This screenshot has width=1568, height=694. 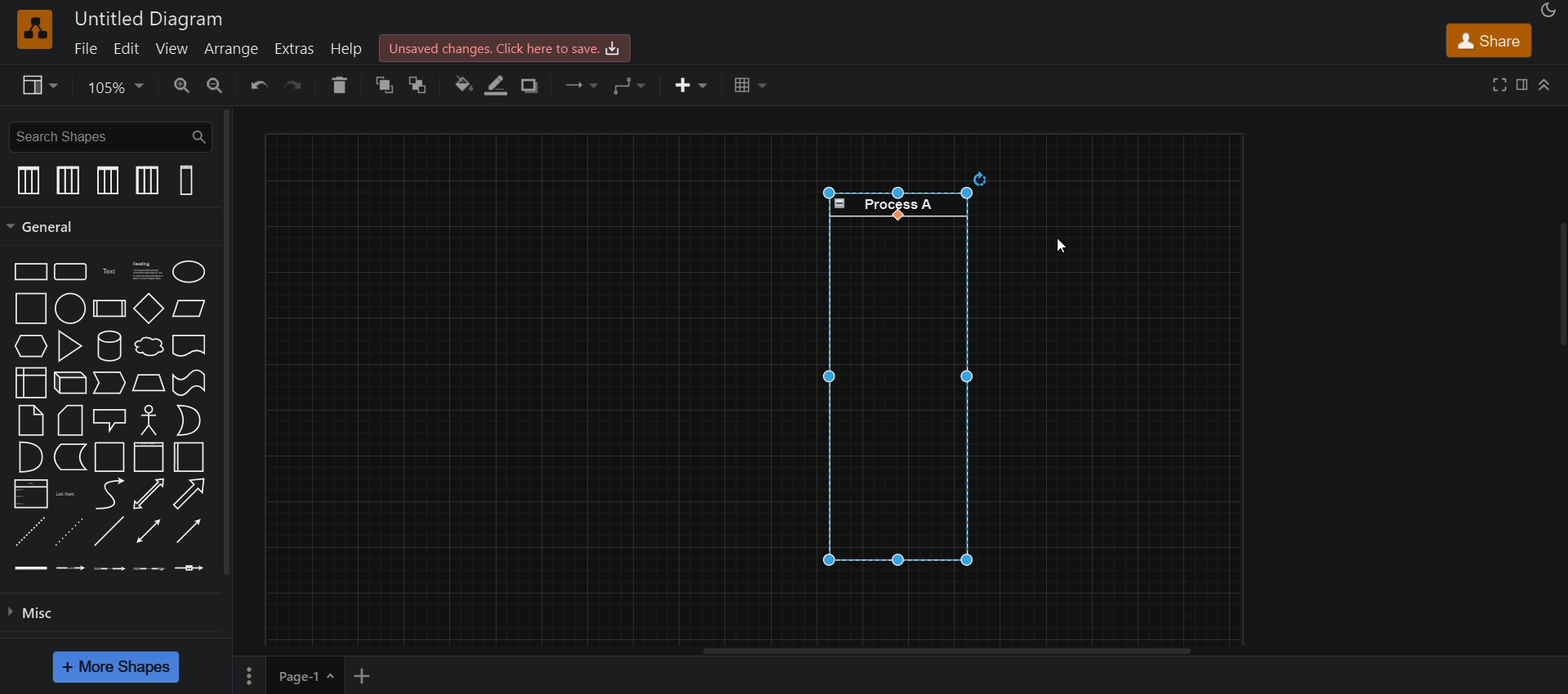 What do you see at coordinates (385, 84) in the screenshot?
I see `to front` at bounding box center [385, 84].